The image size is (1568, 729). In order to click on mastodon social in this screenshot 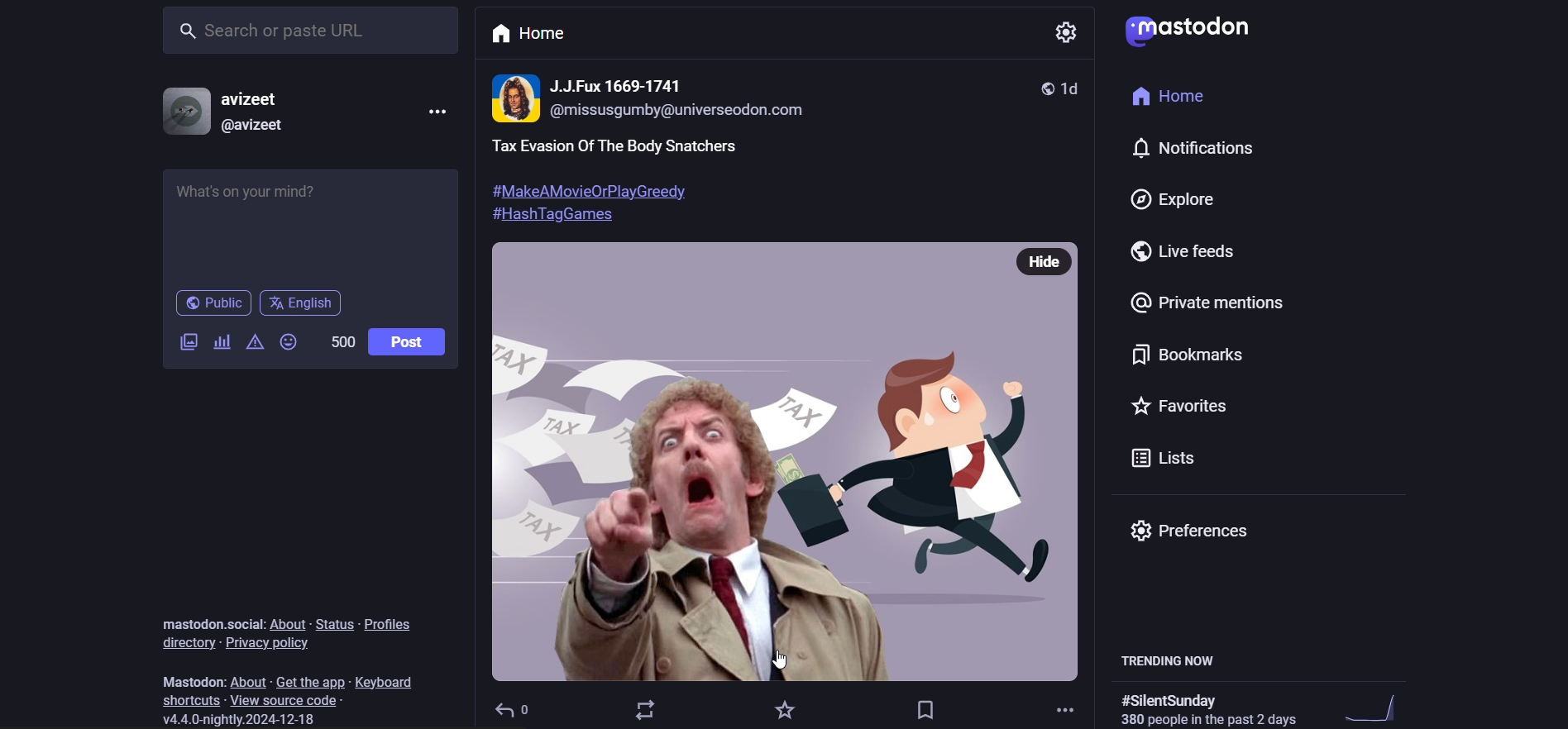, I will do `click(206, 622)`.